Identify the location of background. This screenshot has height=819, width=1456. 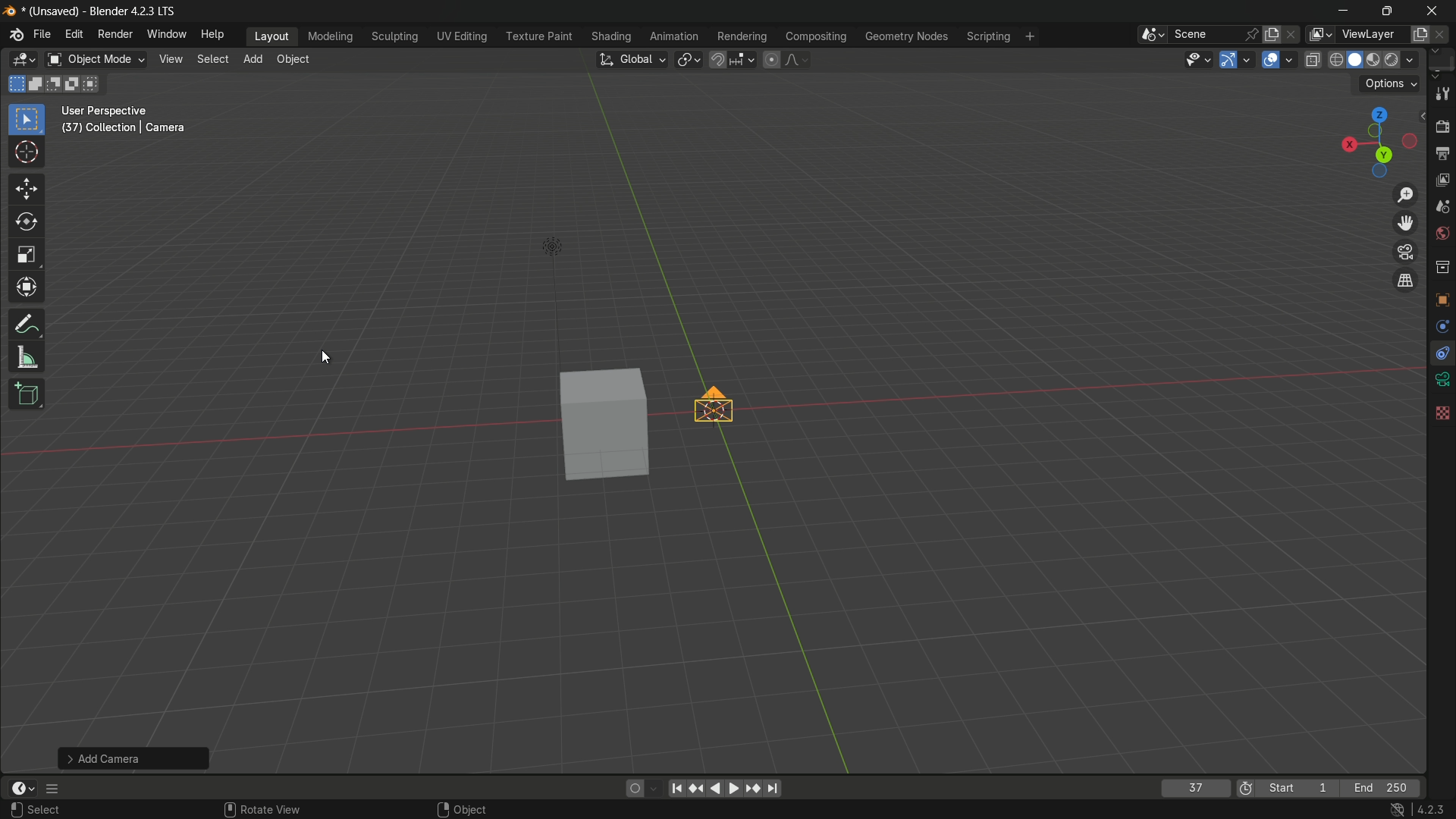
(1442, 416).